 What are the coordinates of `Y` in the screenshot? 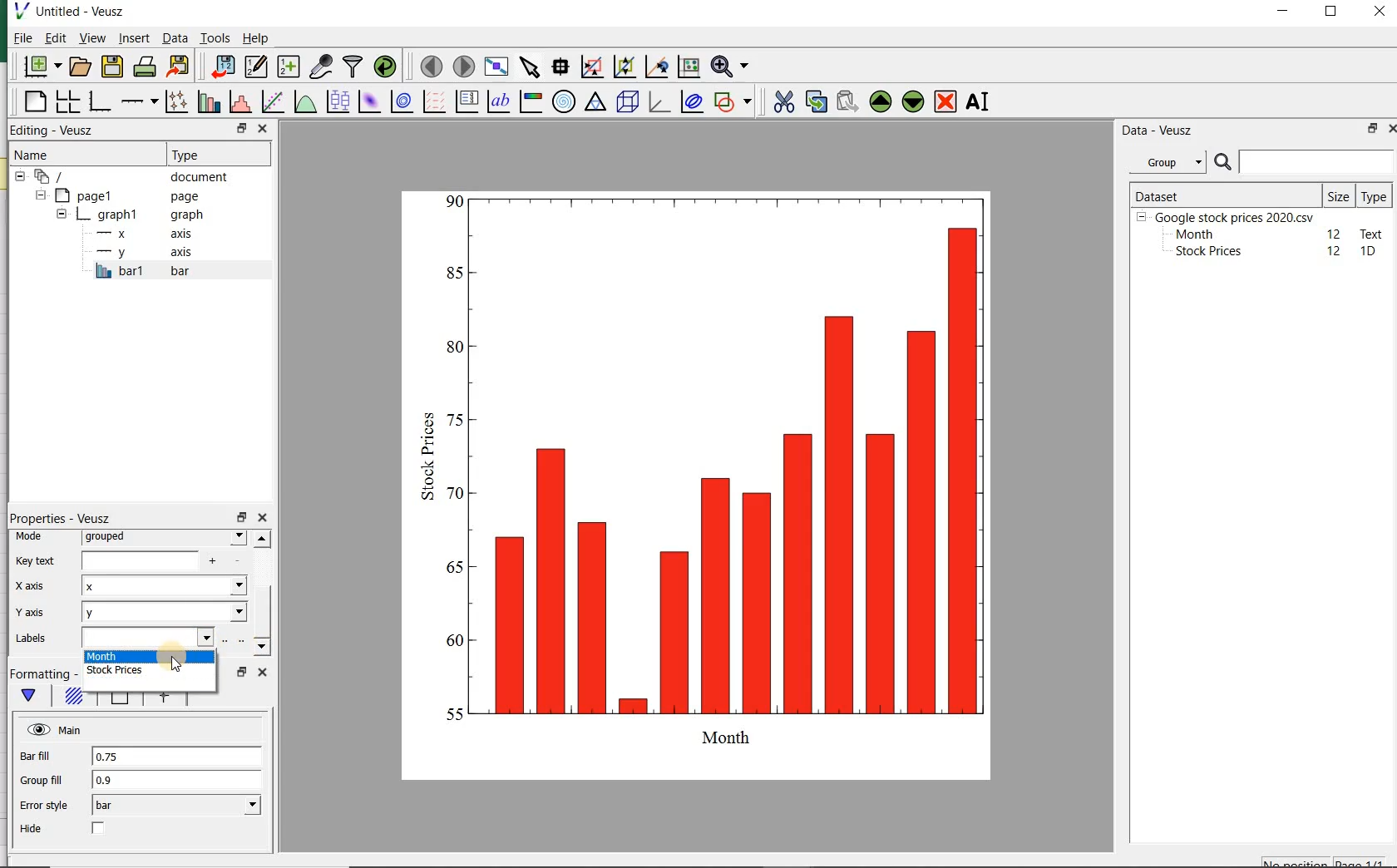 It's located at (165, 611).